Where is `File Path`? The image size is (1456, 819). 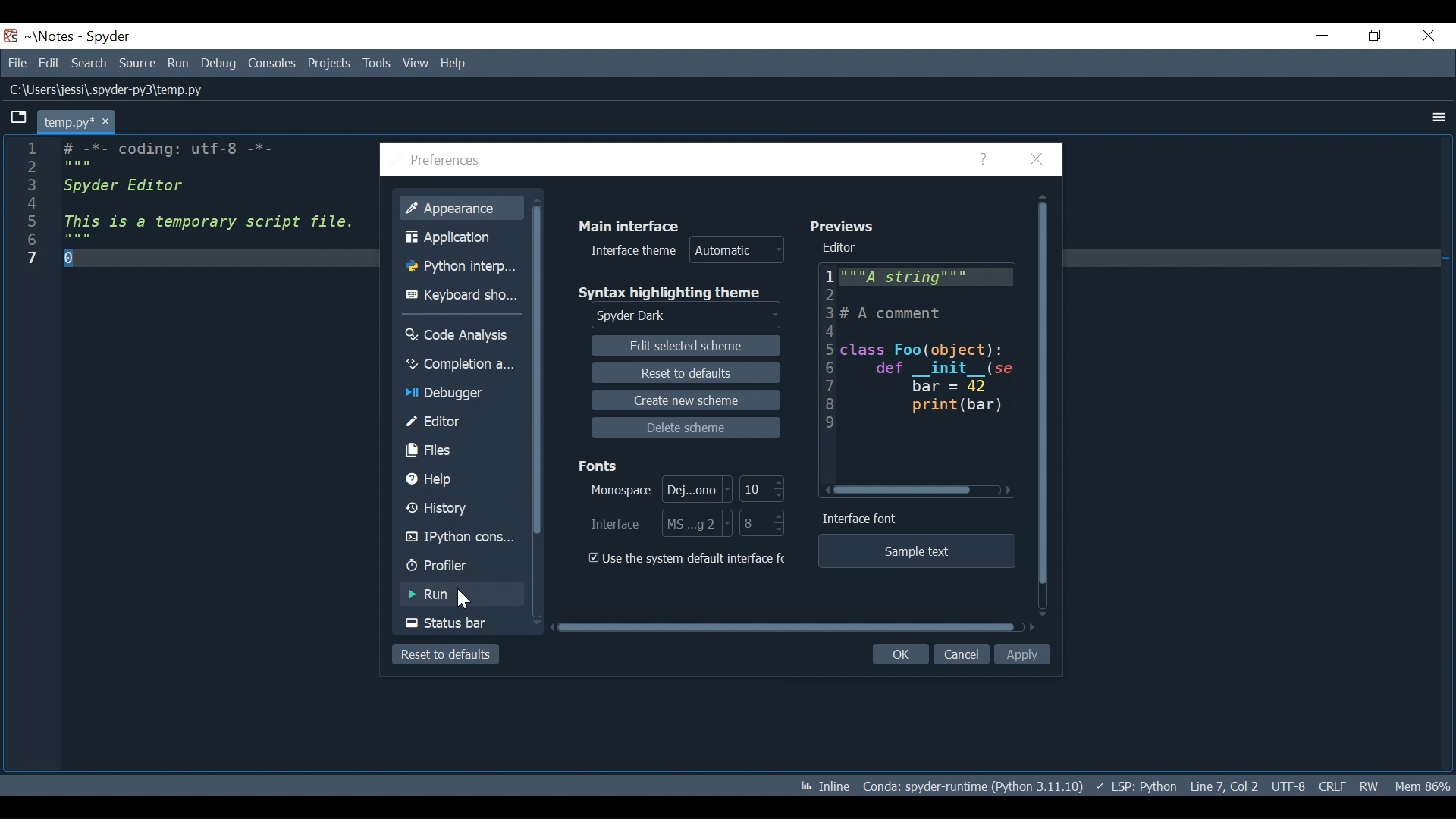 File Path is located at coordinates (109, 89).